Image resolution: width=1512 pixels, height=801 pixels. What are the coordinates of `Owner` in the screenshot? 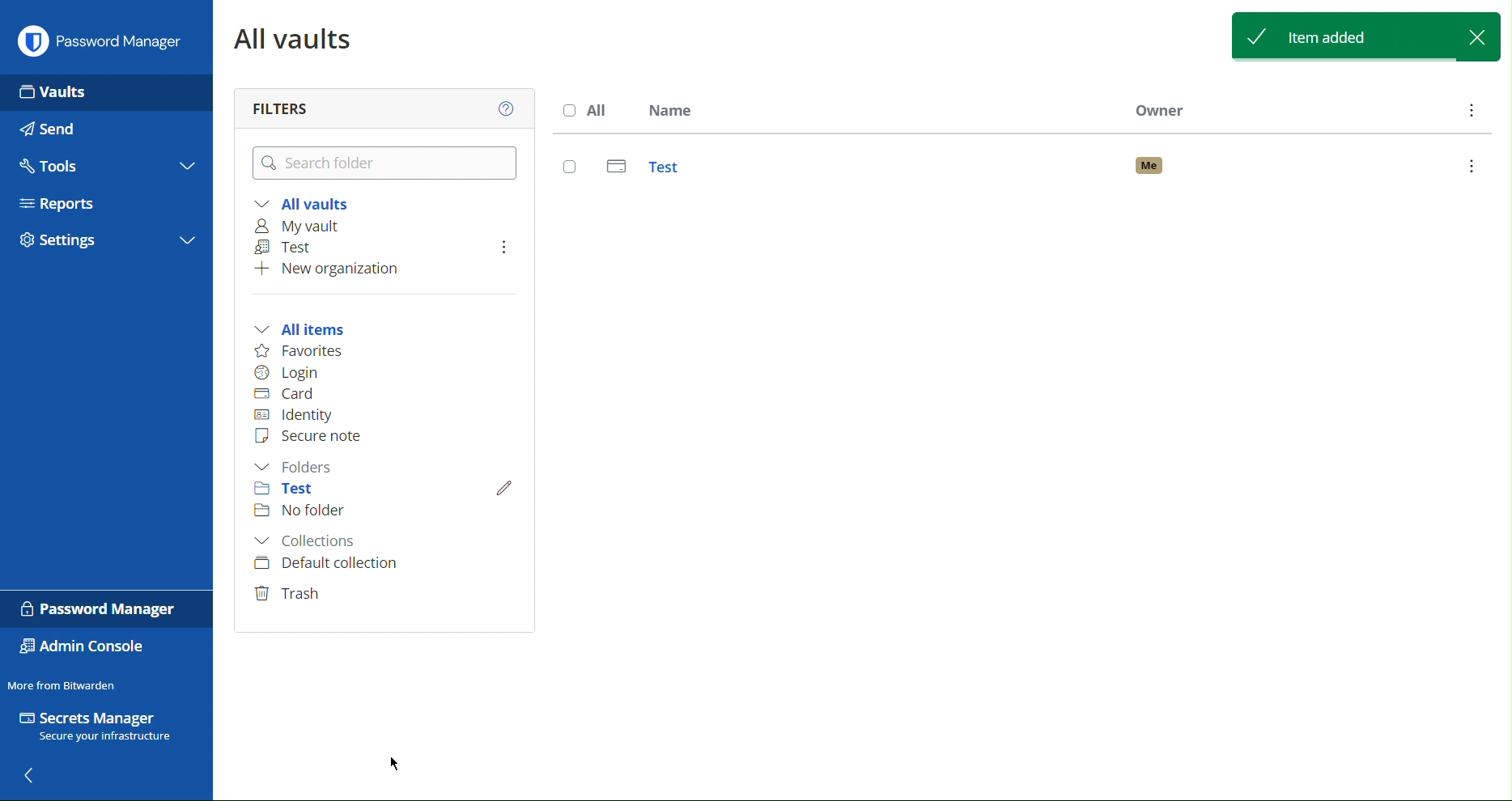 It's located at (1160, 110).